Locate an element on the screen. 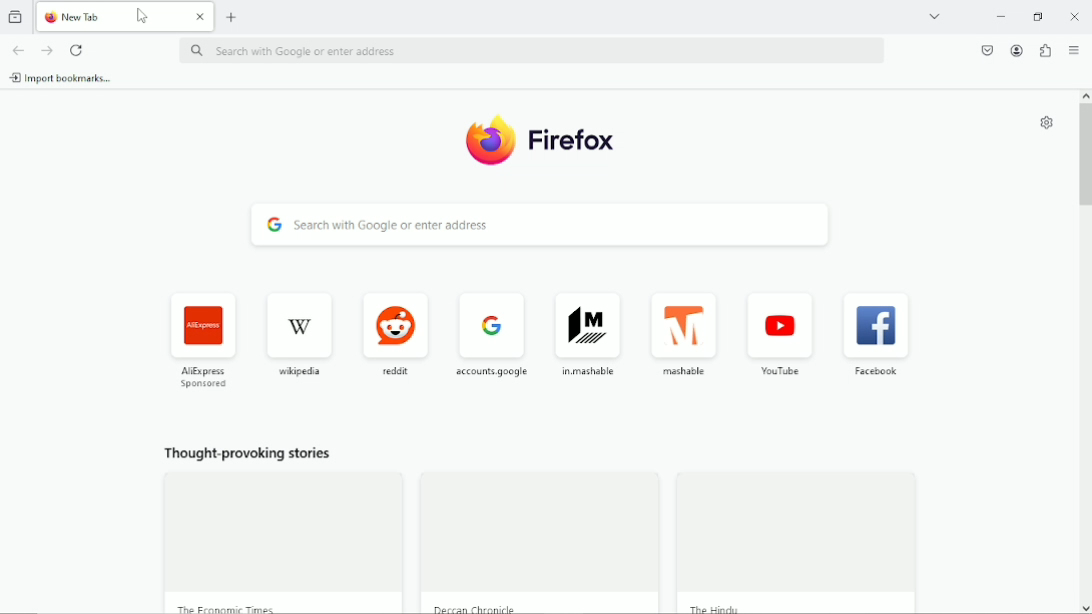 This screenshot has height=614, width=1092. Go back is located at coordinates (18, 50).